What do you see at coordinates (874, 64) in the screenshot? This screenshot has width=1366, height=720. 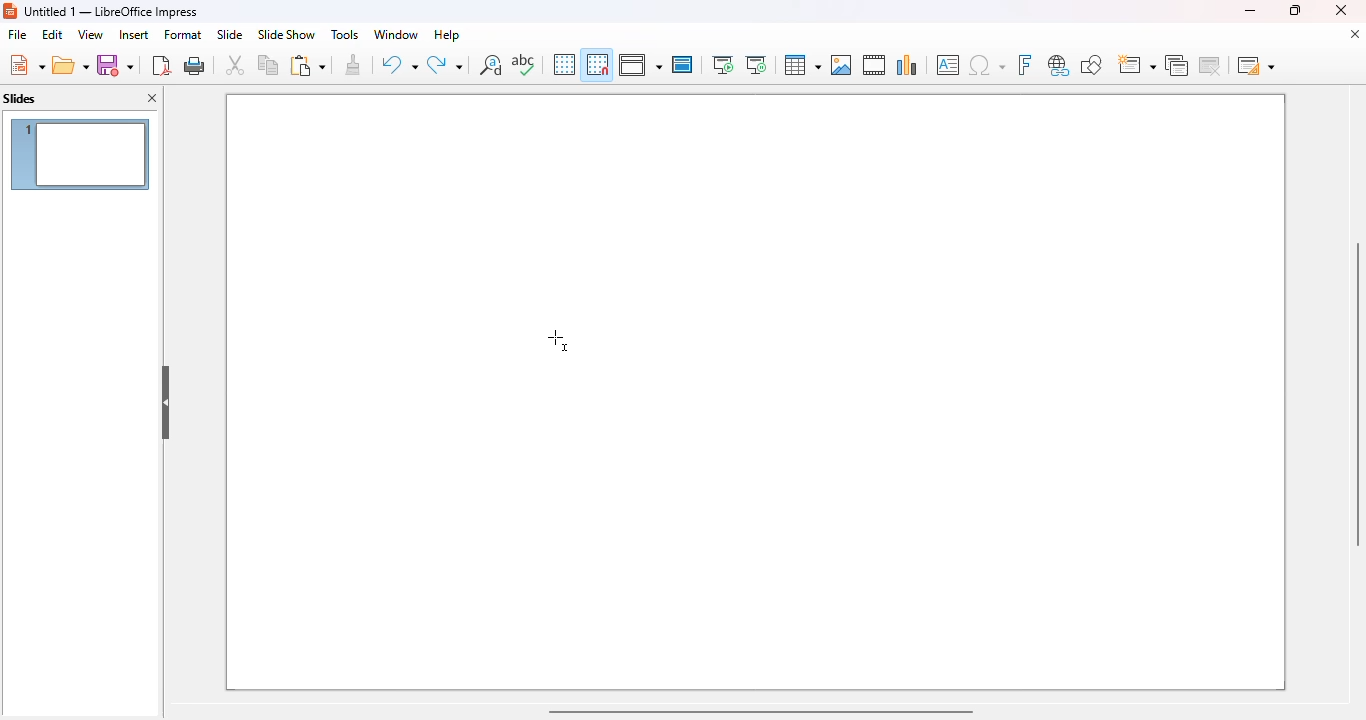 I see `insert audio or video` at bounding box center [874, 64].